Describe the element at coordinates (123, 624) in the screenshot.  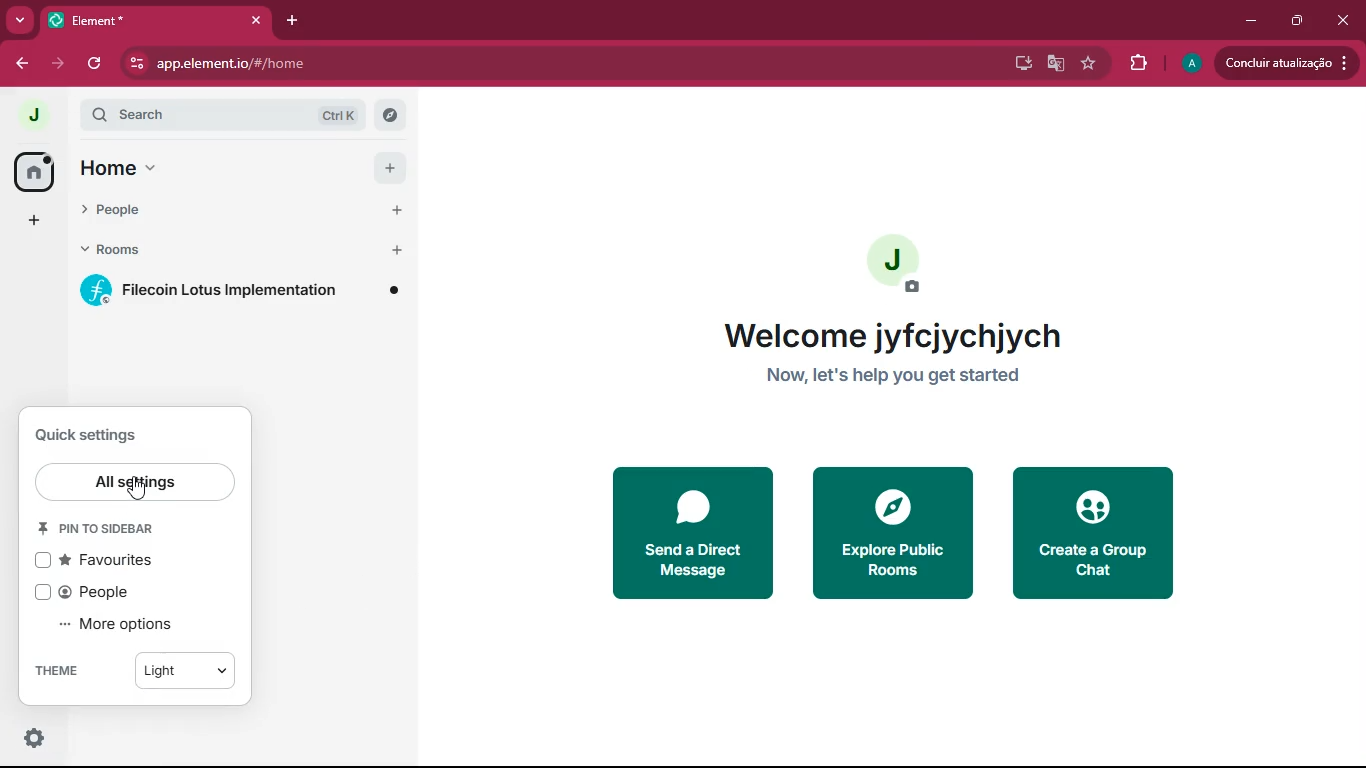
I see `more options` at that location.